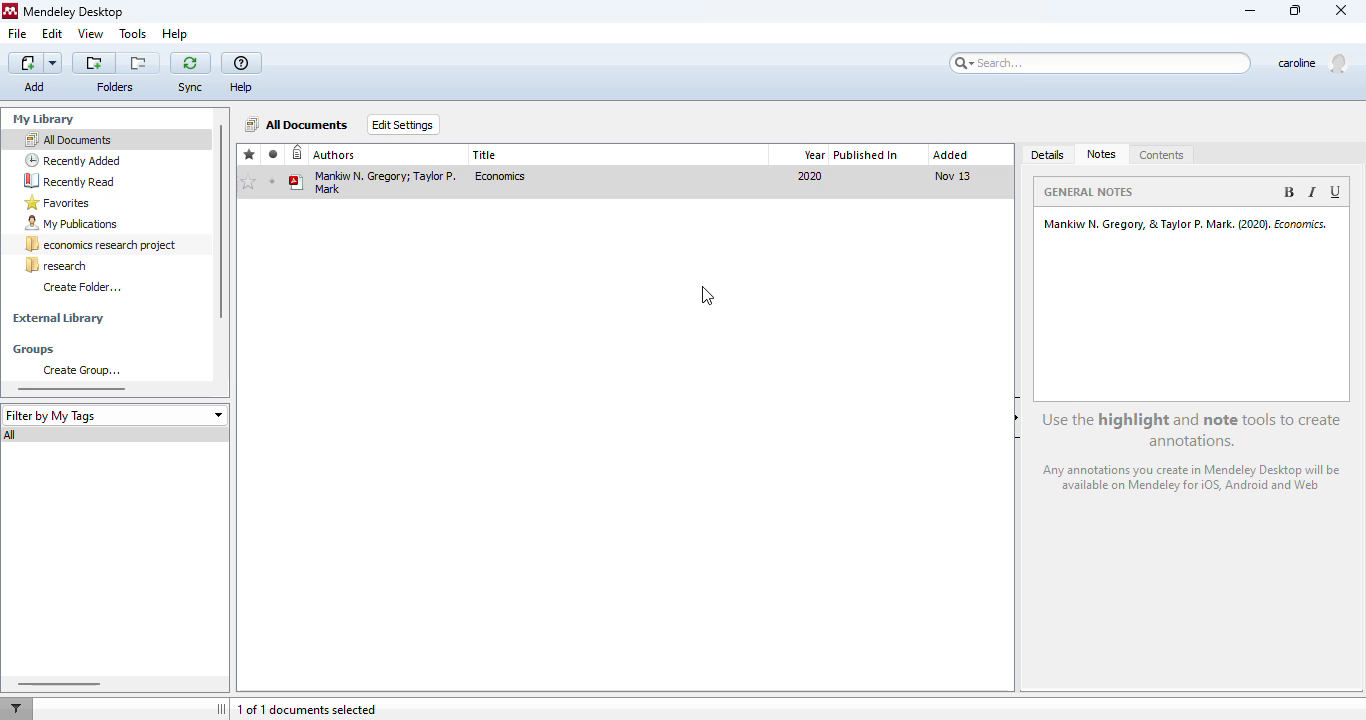 This screenshot has width=1366, height=720. I want to click on published in, so click(866, 155).